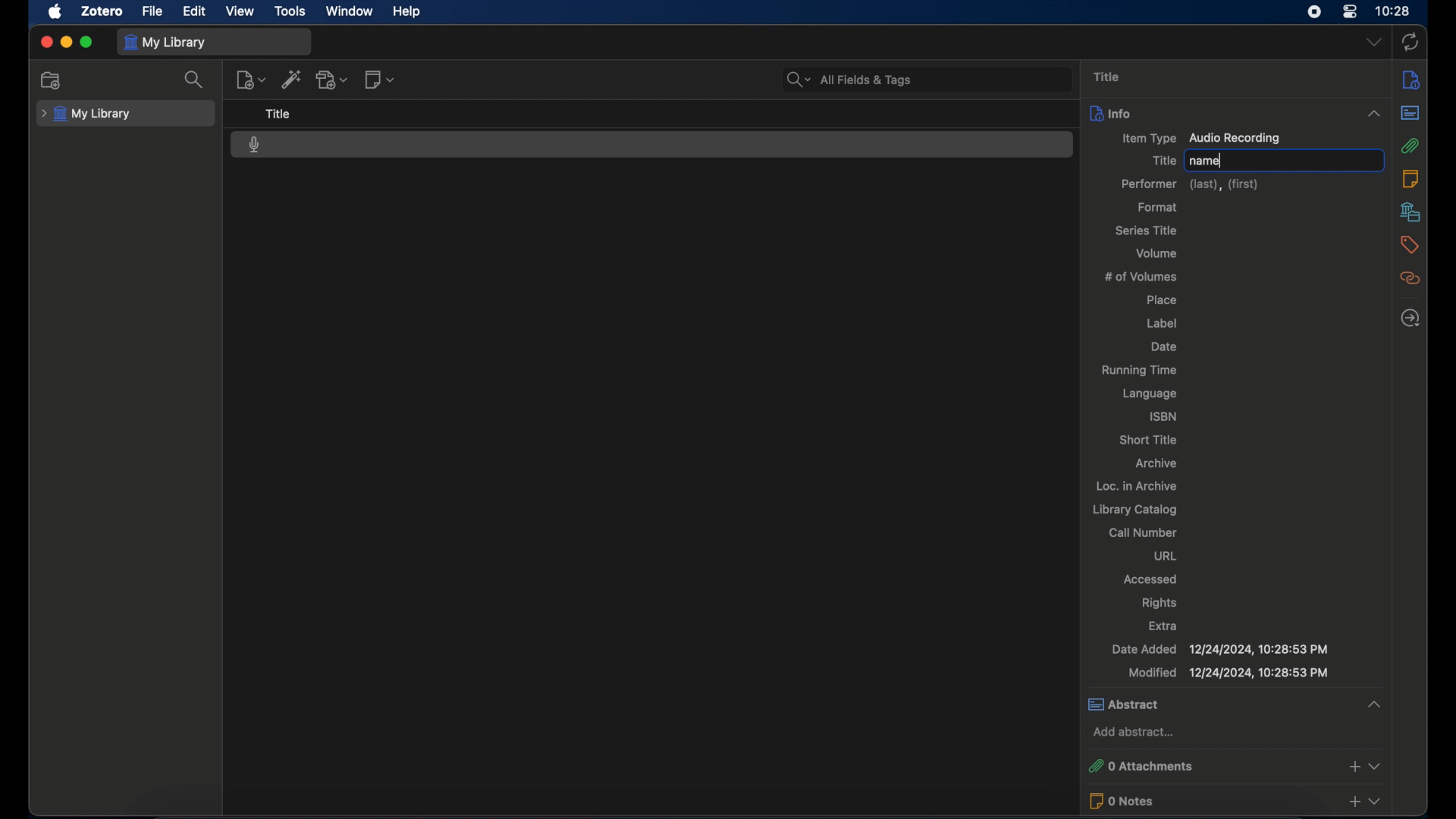 This screenshot has width=1456, height=819. What do you see at coordinates (1191, 184) in the screenshot?
I see `performer` at bounding box center [1191, 184].